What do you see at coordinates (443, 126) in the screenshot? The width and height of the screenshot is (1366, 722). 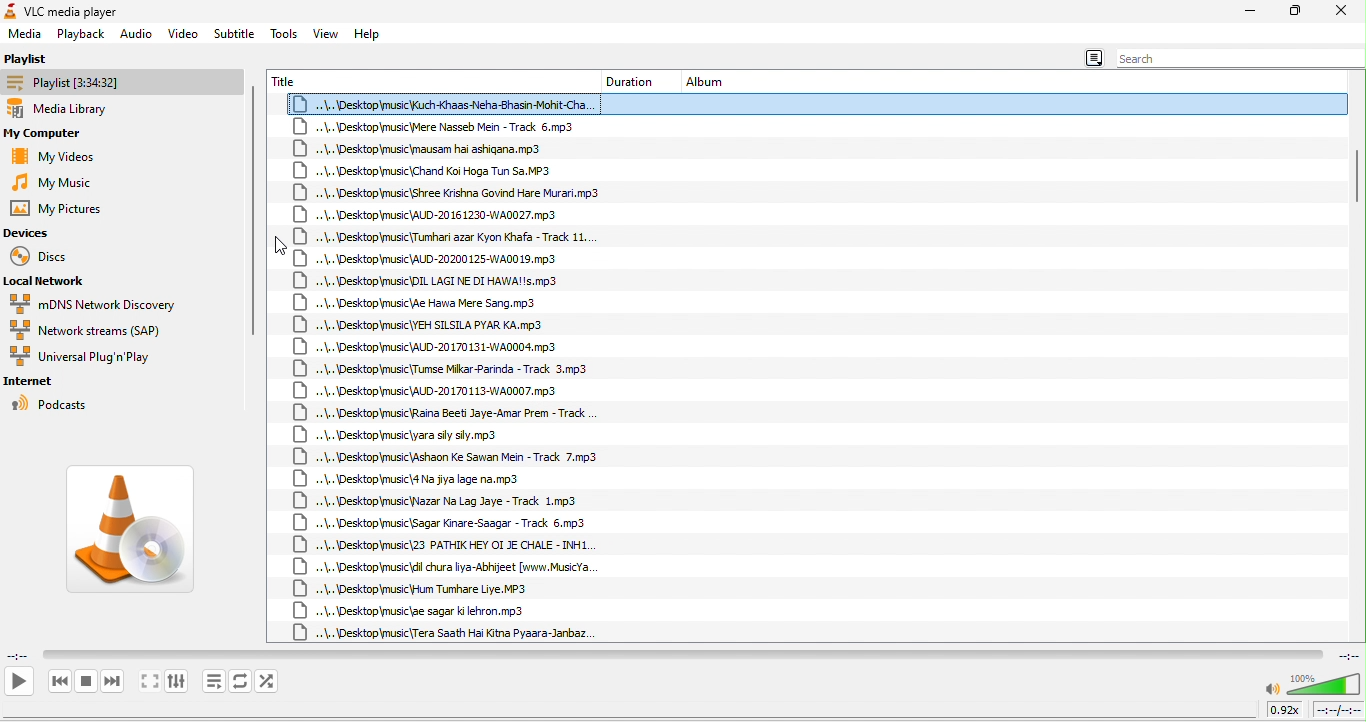 I see `+.\..\Desktop\music\Mere Nasseb Mein - Track 6.mp3` at bounding box center [443, 126].